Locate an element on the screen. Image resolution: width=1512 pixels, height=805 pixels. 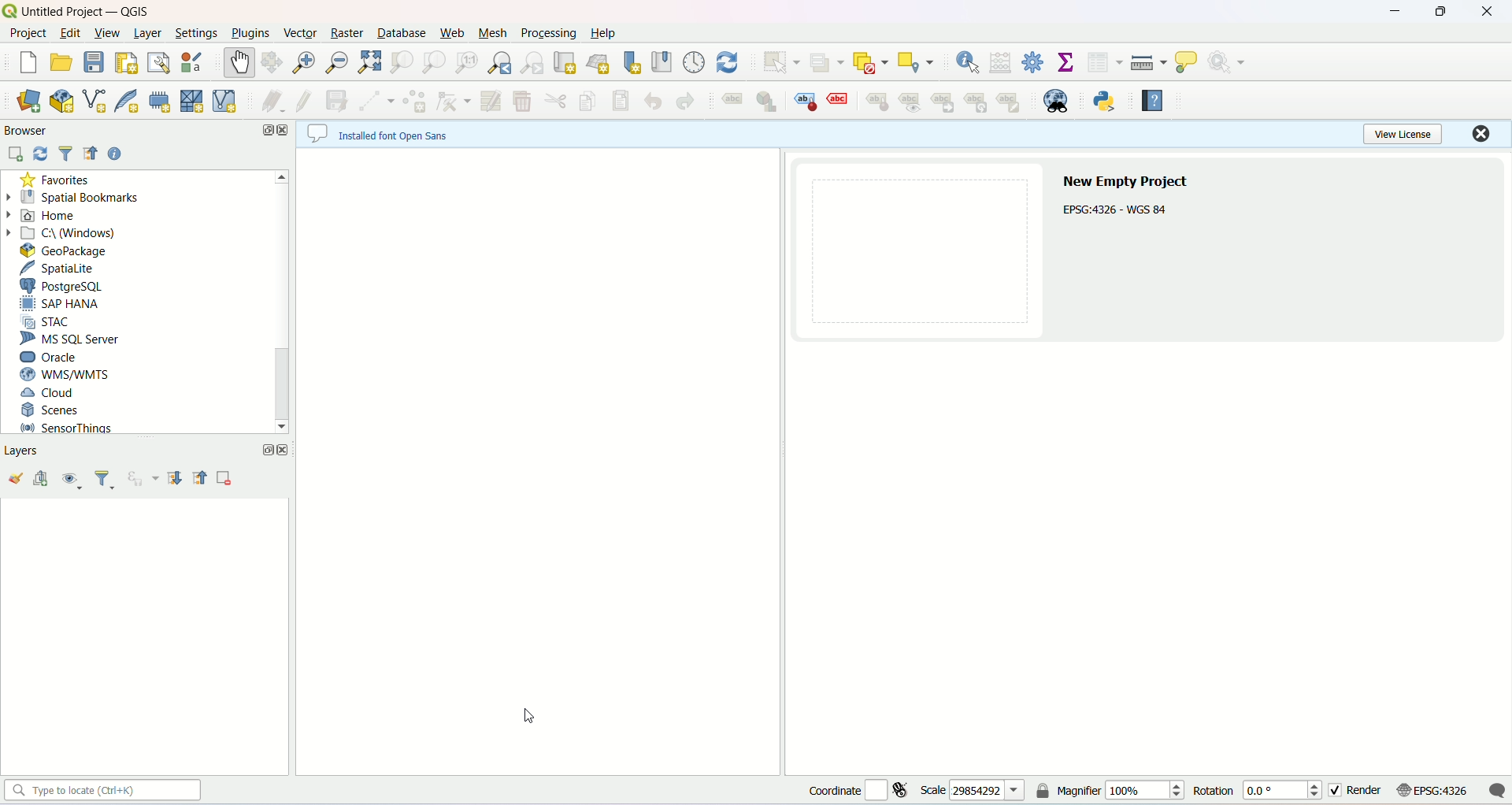
spatial bookmarks is located at coordinates (75, 198).